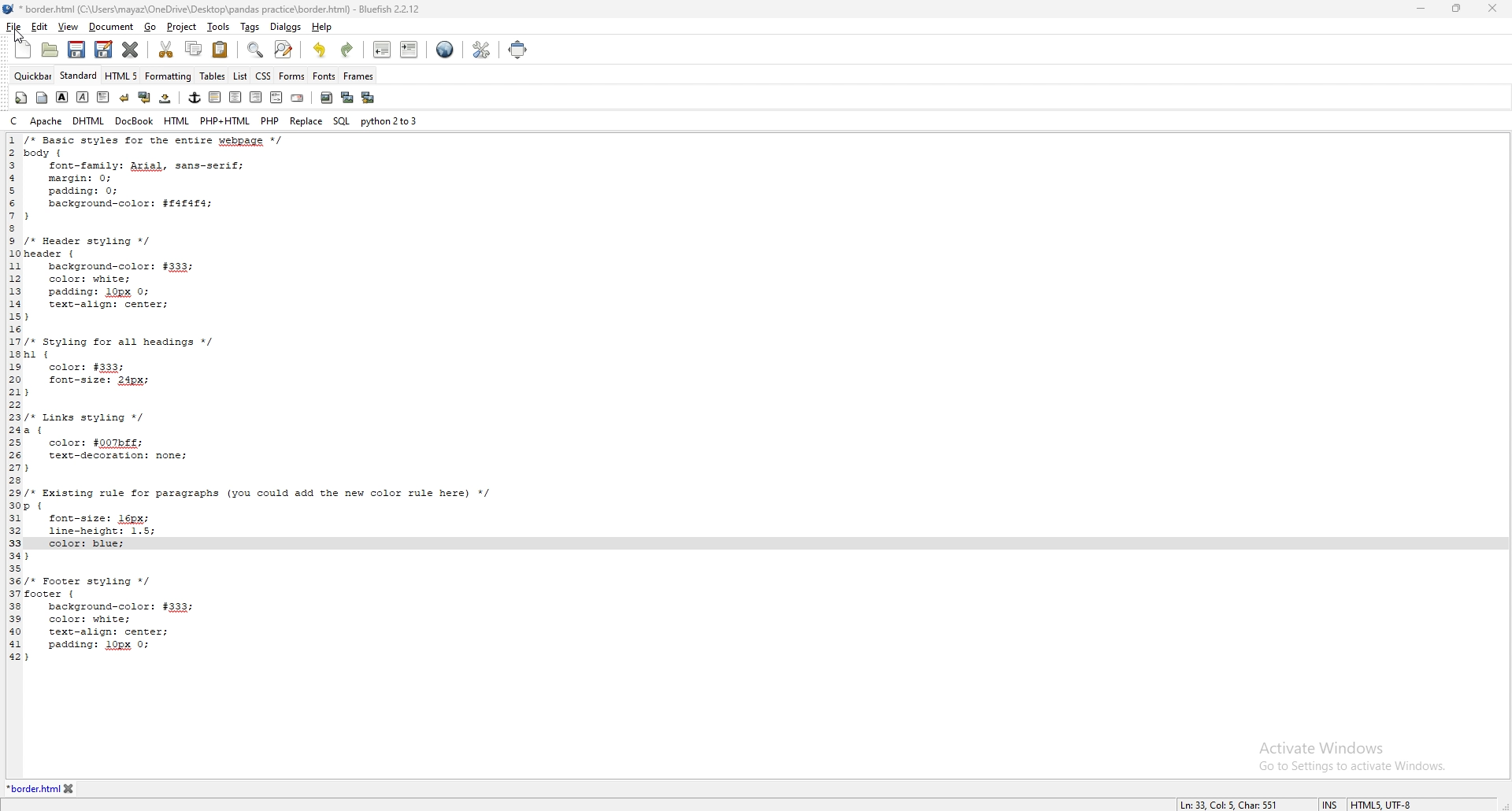 The height and width of the screenshot is (811, 1512). What do you see at coordinates (130, 49) in the screenshot?
I see `close current tab` at bounding box center [130, 49].